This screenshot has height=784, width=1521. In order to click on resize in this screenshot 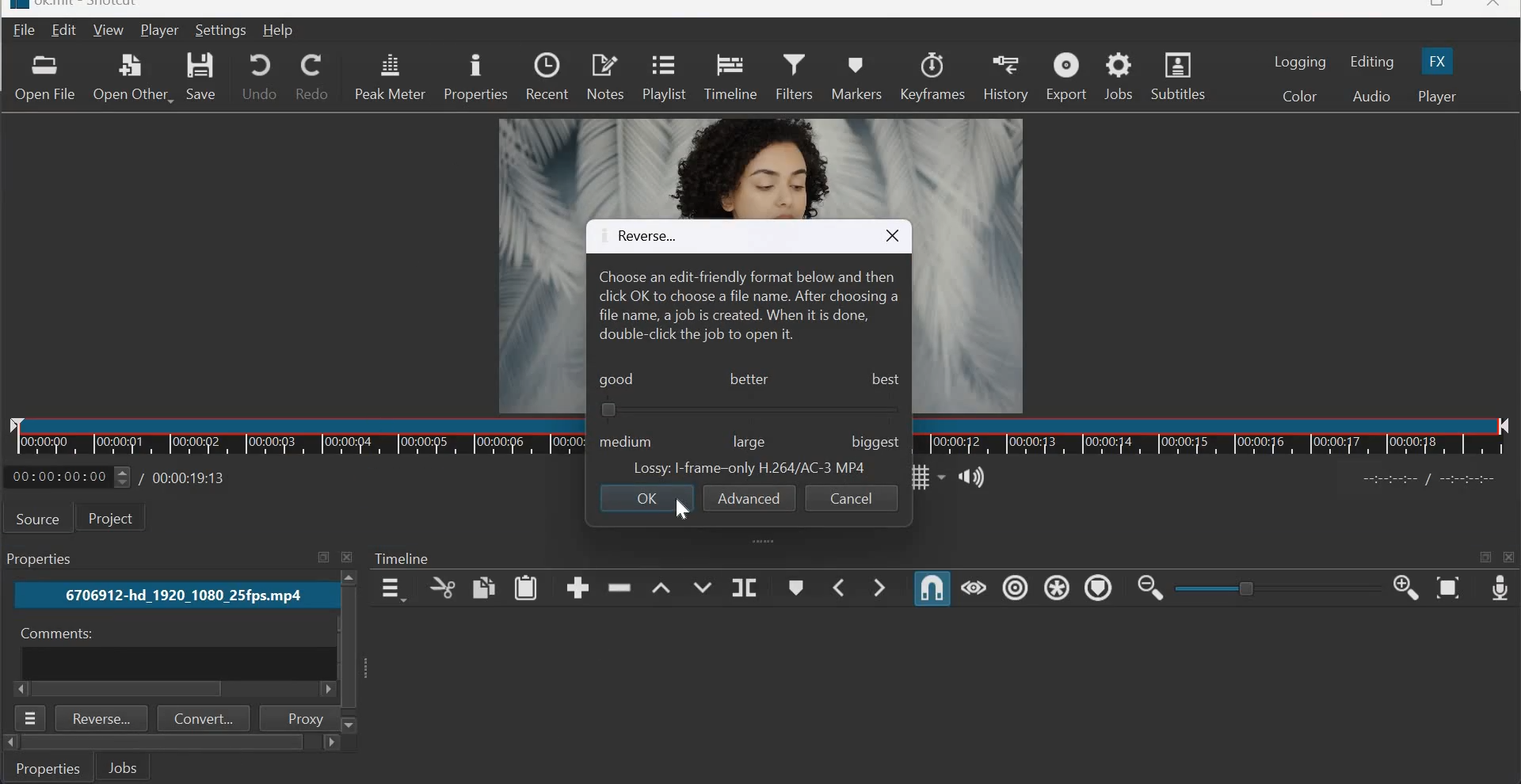, I will do `click(1434, 6)`.